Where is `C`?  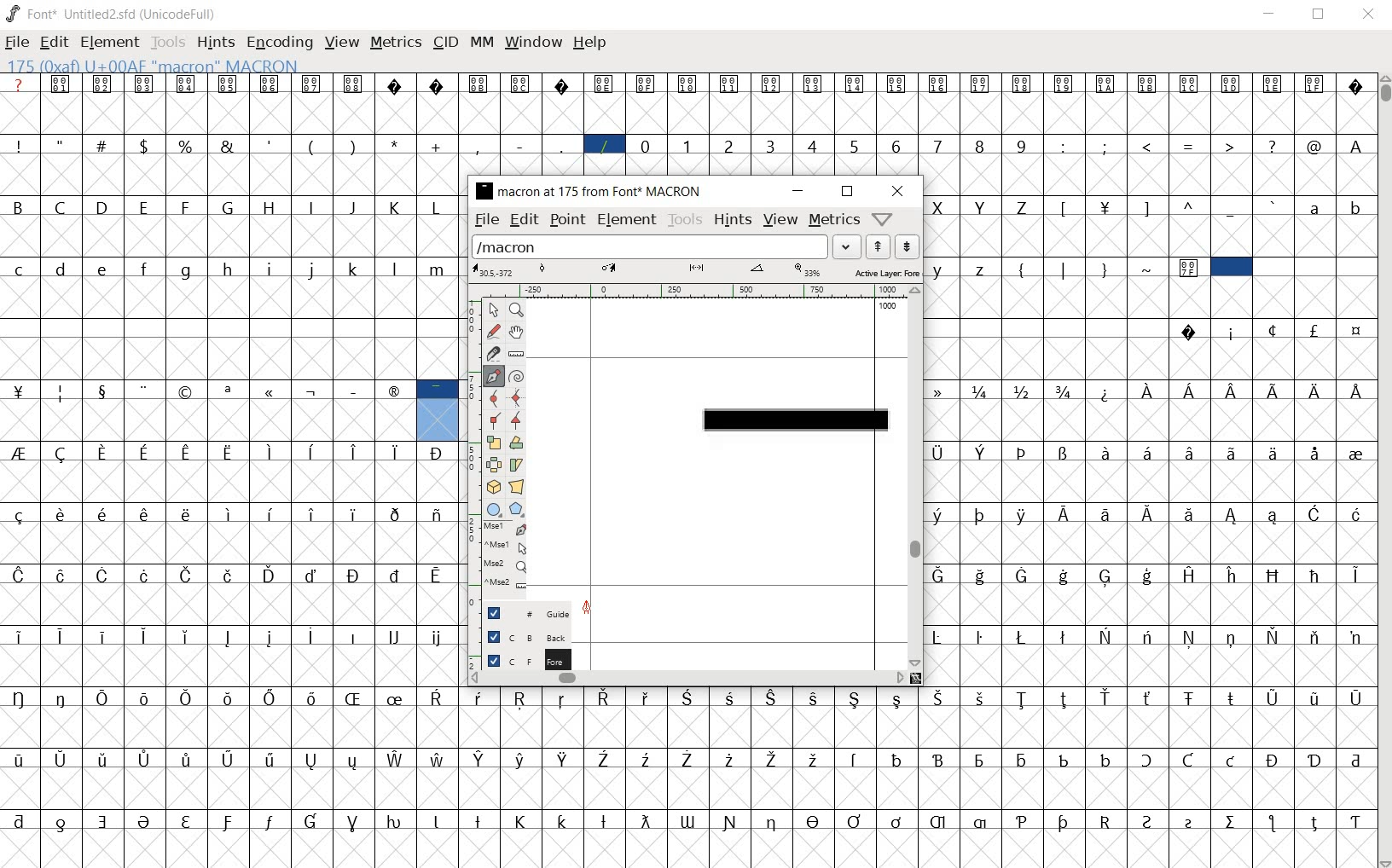 C is located at coordinates (64, 208).